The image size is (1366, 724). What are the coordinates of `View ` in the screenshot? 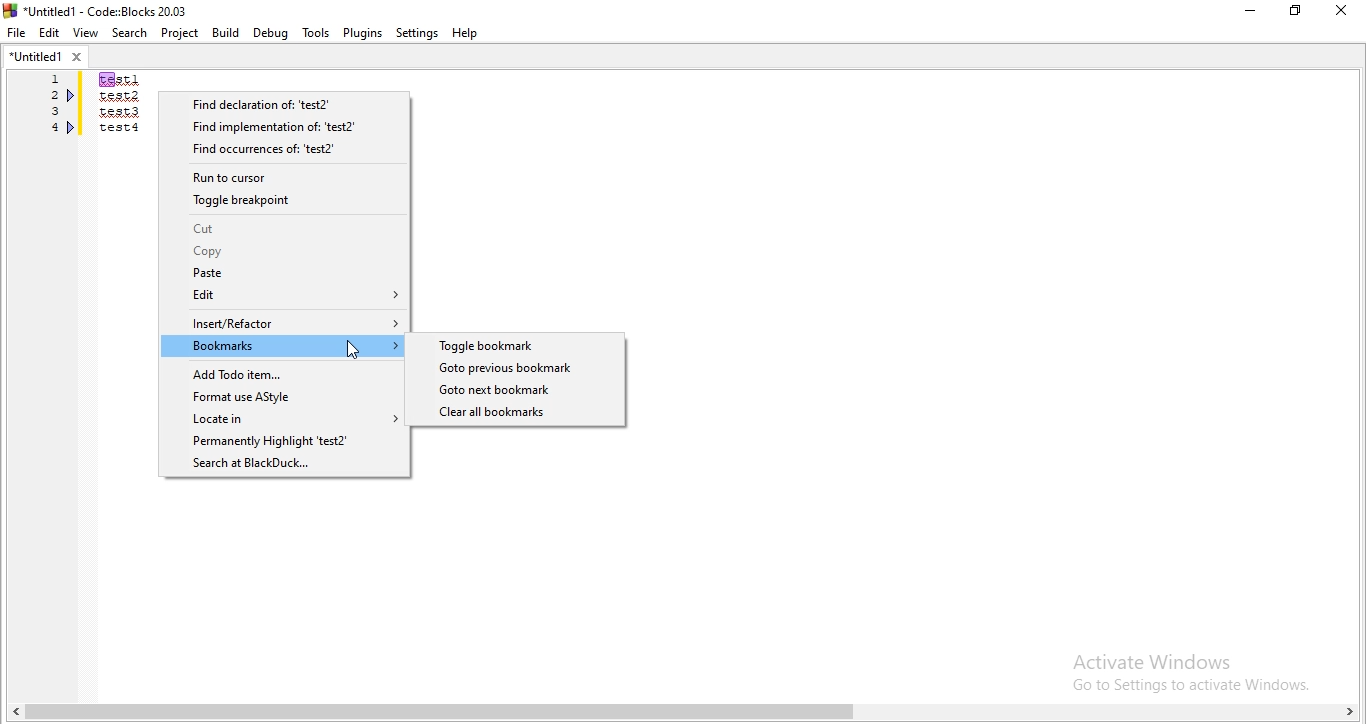 It's located at (85, 33).